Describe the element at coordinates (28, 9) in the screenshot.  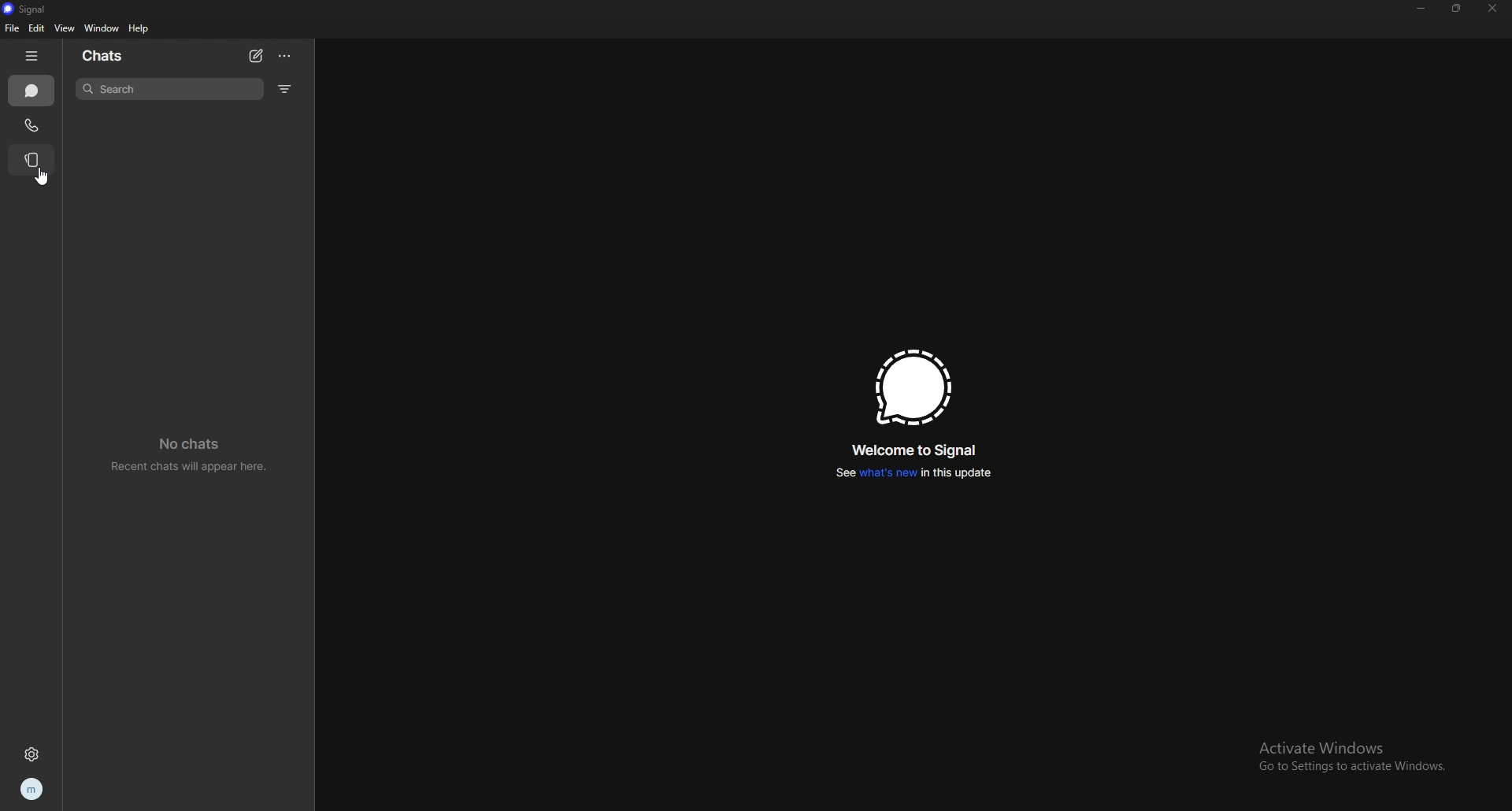
I see `signal` at that location.